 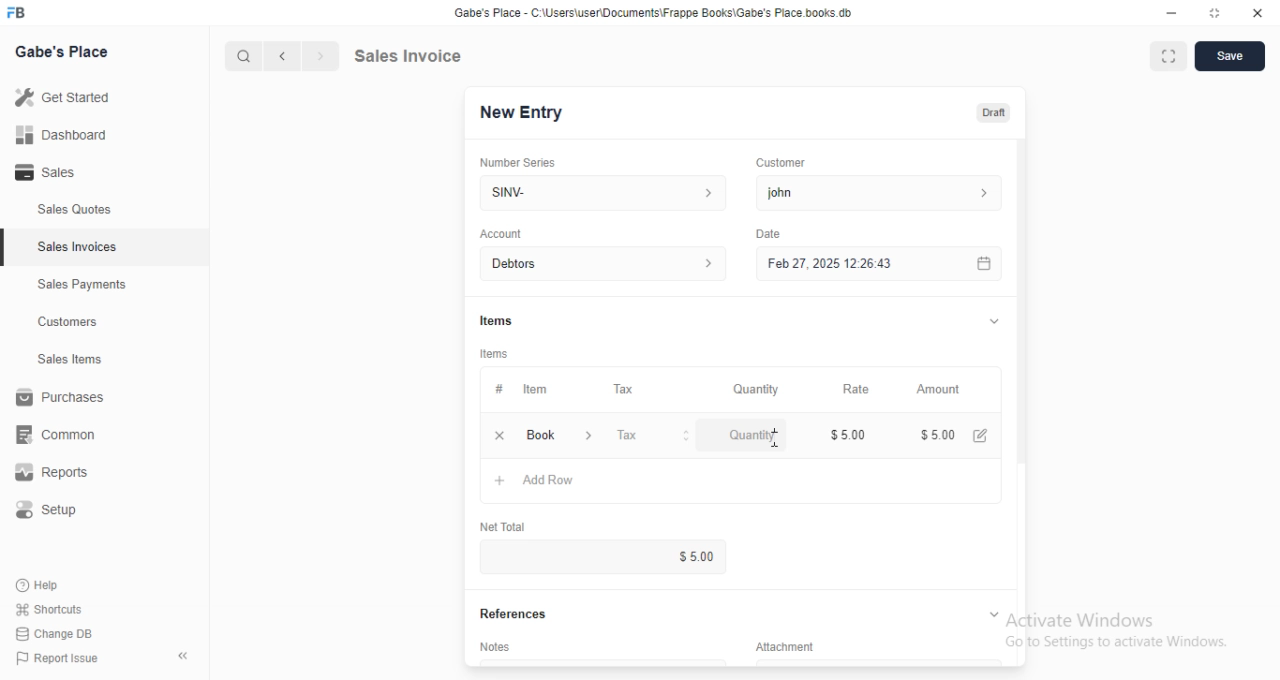 I want to click on Items, so click(x=495, y=317).